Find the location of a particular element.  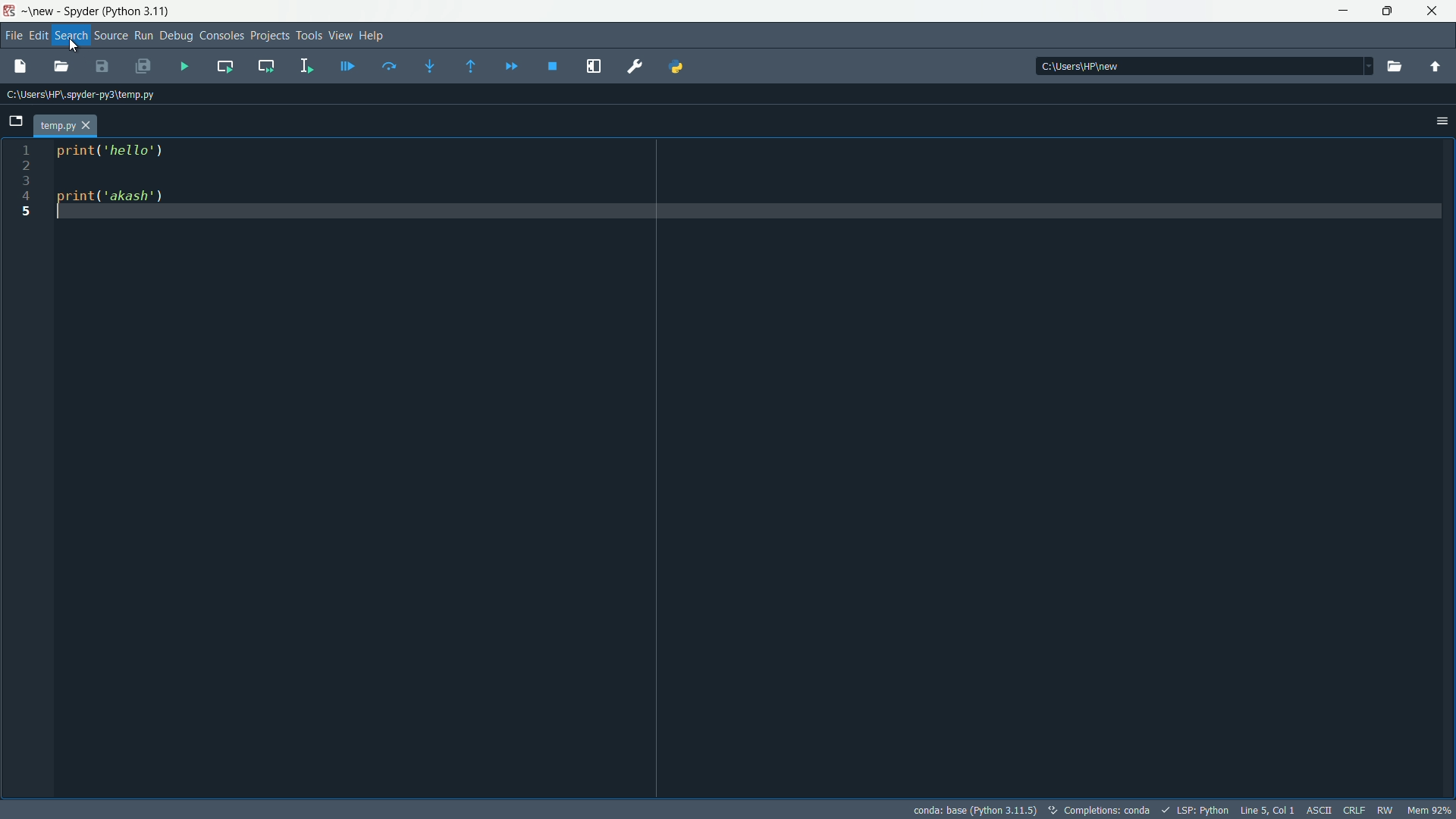

debug current line is located at coordinates (344, 66).